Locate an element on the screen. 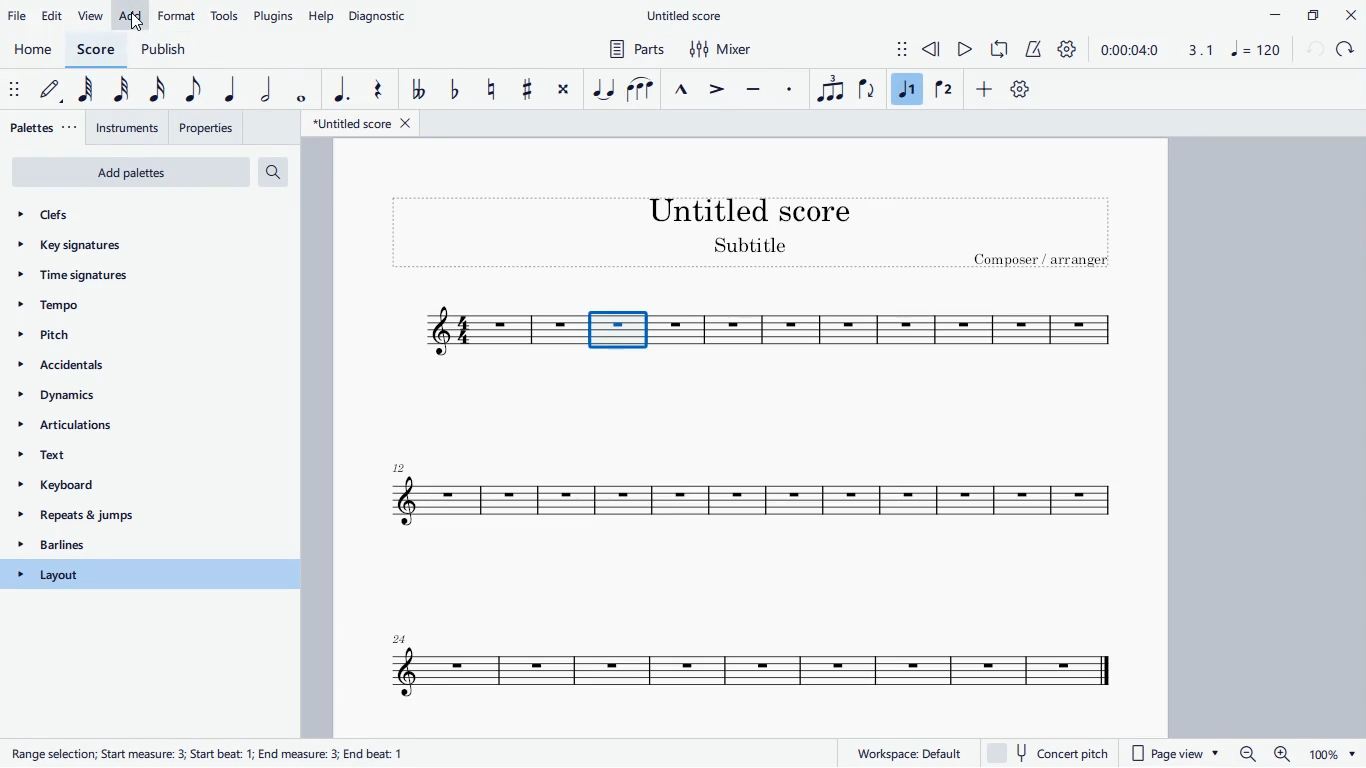 This screenshot has width=1366, height=768. score is located at coordinates (735, 668).